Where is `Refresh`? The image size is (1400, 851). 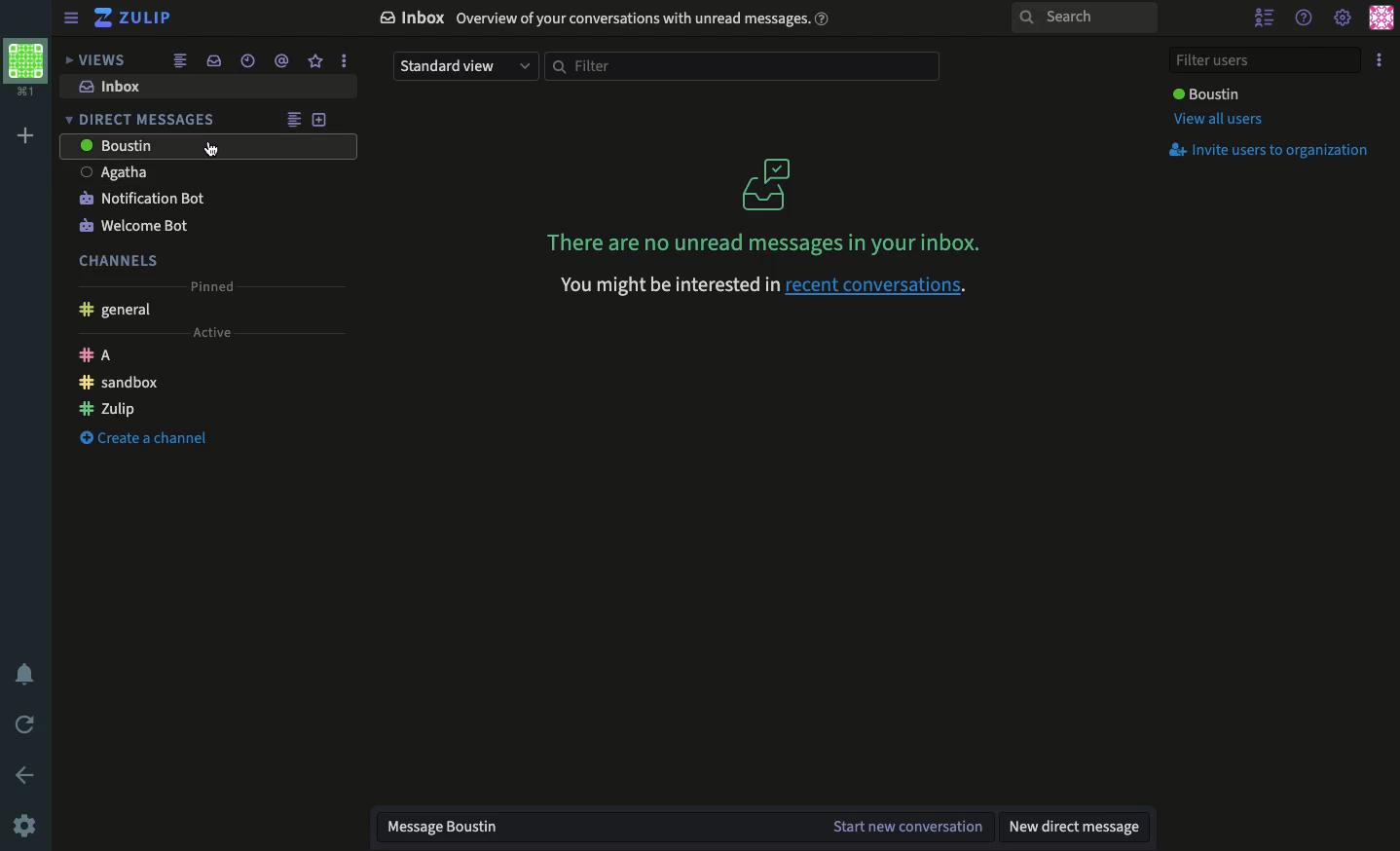
Refresh is located at coordinates (27, 726).